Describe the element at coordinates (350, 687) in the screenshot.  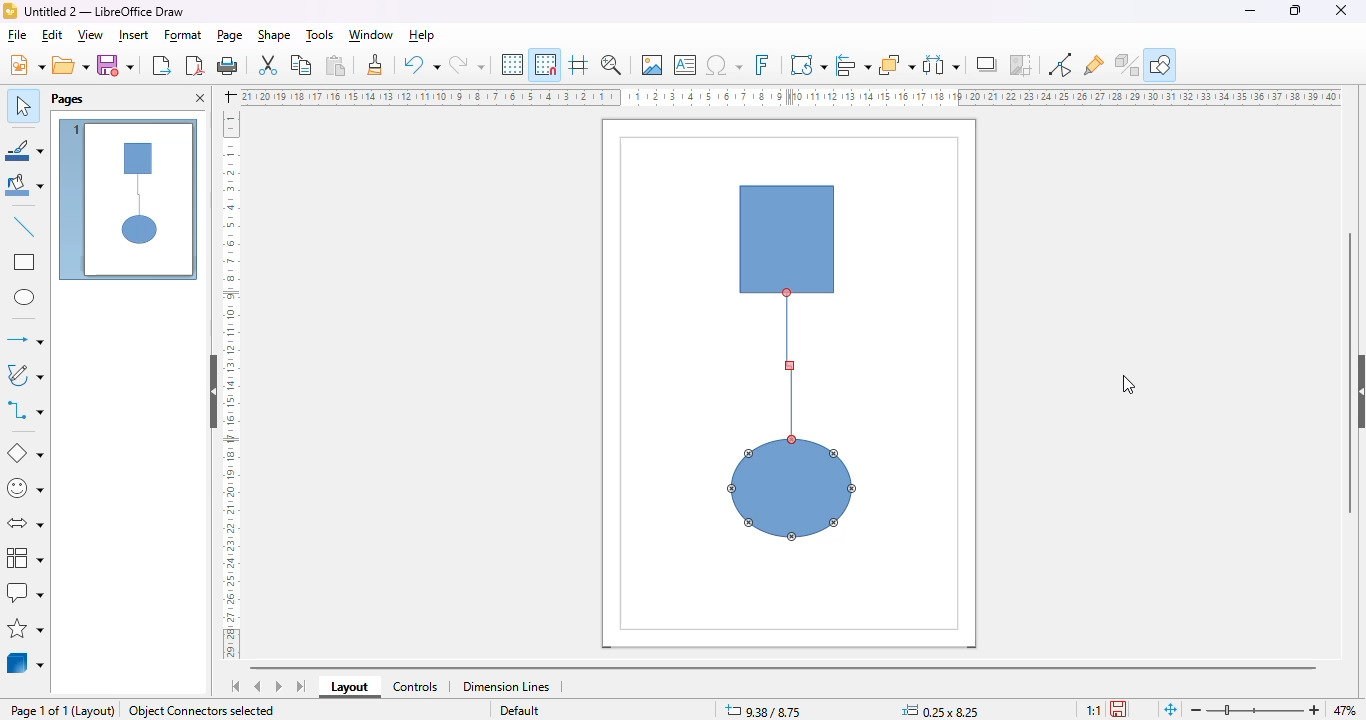
I see `layout` at that location.